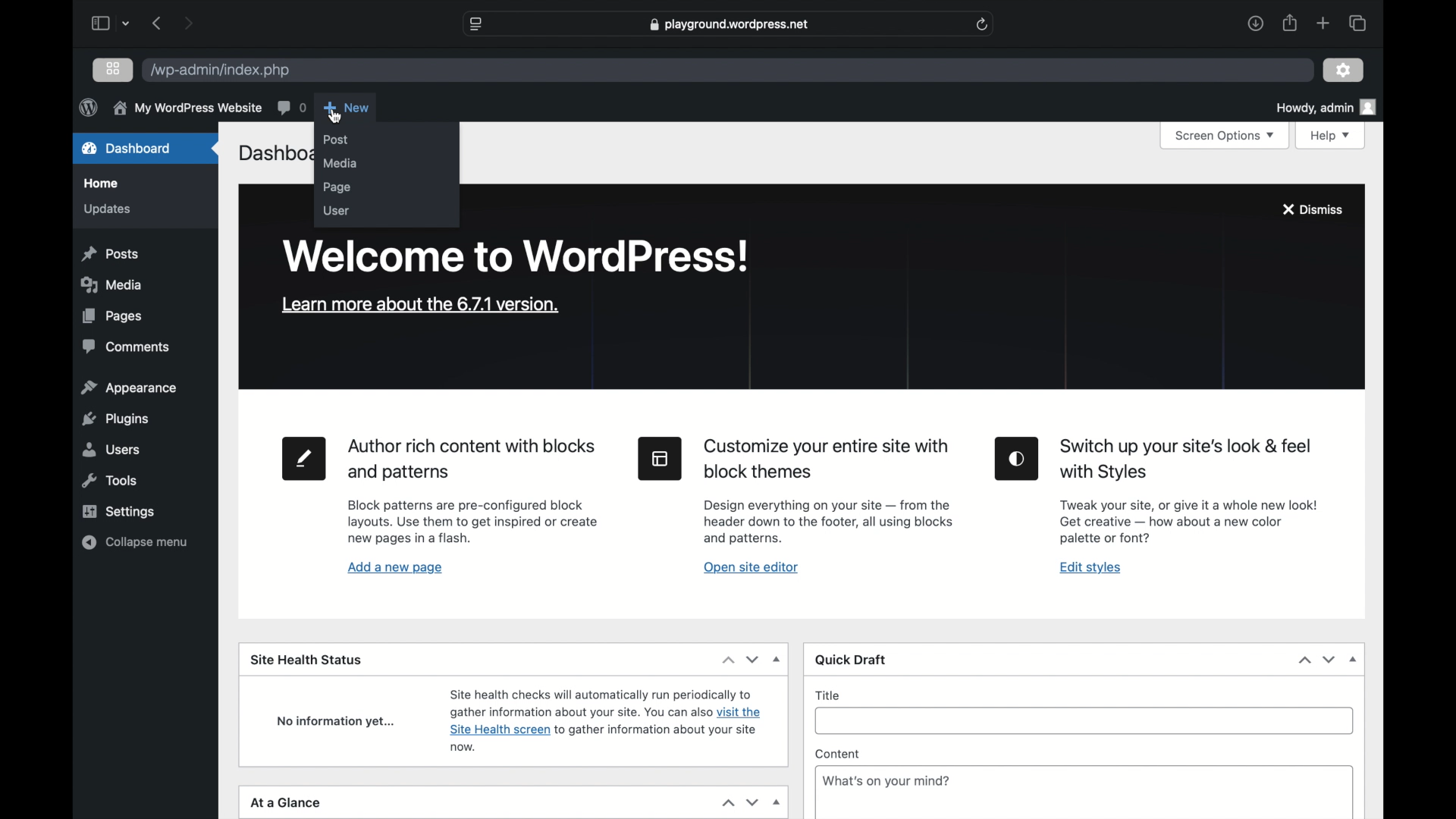 This screenshot has width=1456, height=819. Describe the element at coordinates (1311, 211) in the screenshot. I see `dismiss` at that location.